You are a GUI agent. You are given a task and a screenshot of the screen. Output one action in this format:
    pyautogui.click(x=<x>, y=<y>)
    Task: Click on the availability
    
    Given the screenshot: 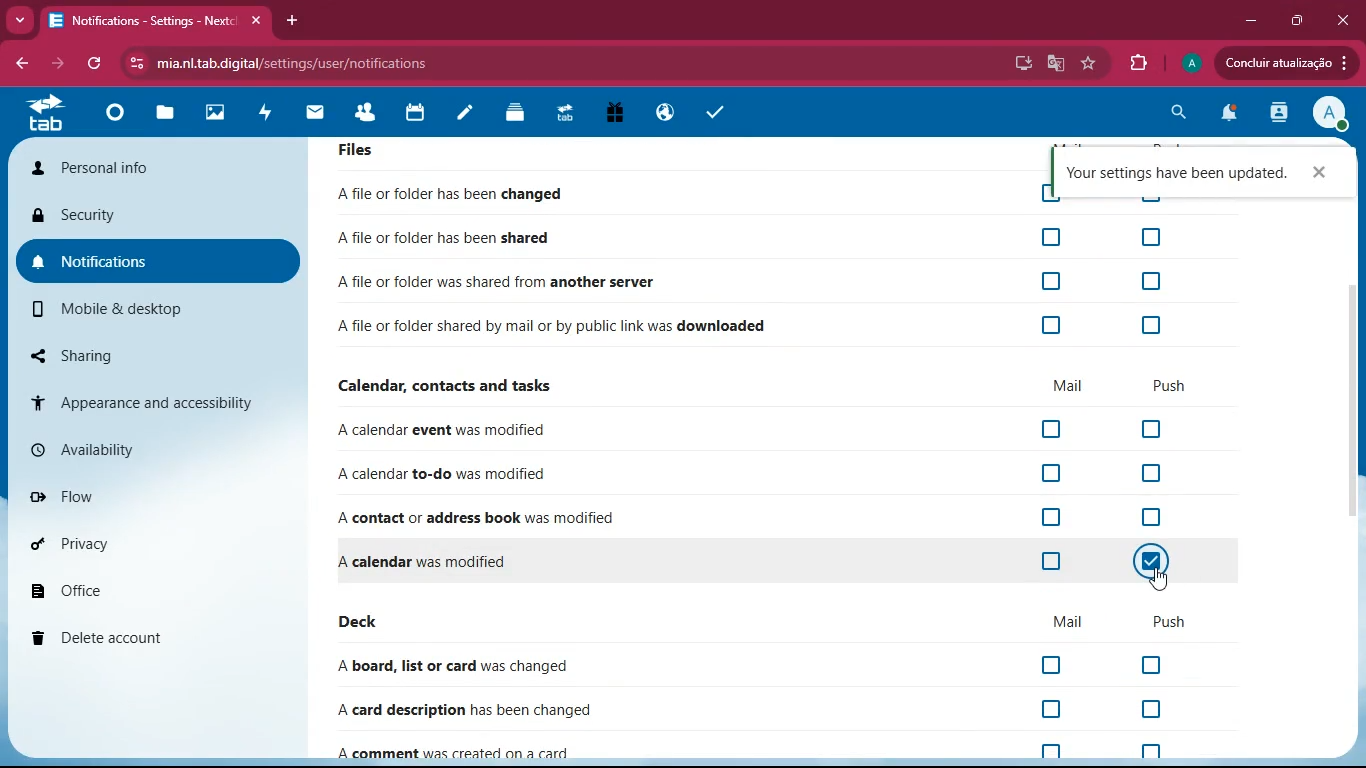 What is the action you would take?
    pyautogui.click(x=141, y=449)
    